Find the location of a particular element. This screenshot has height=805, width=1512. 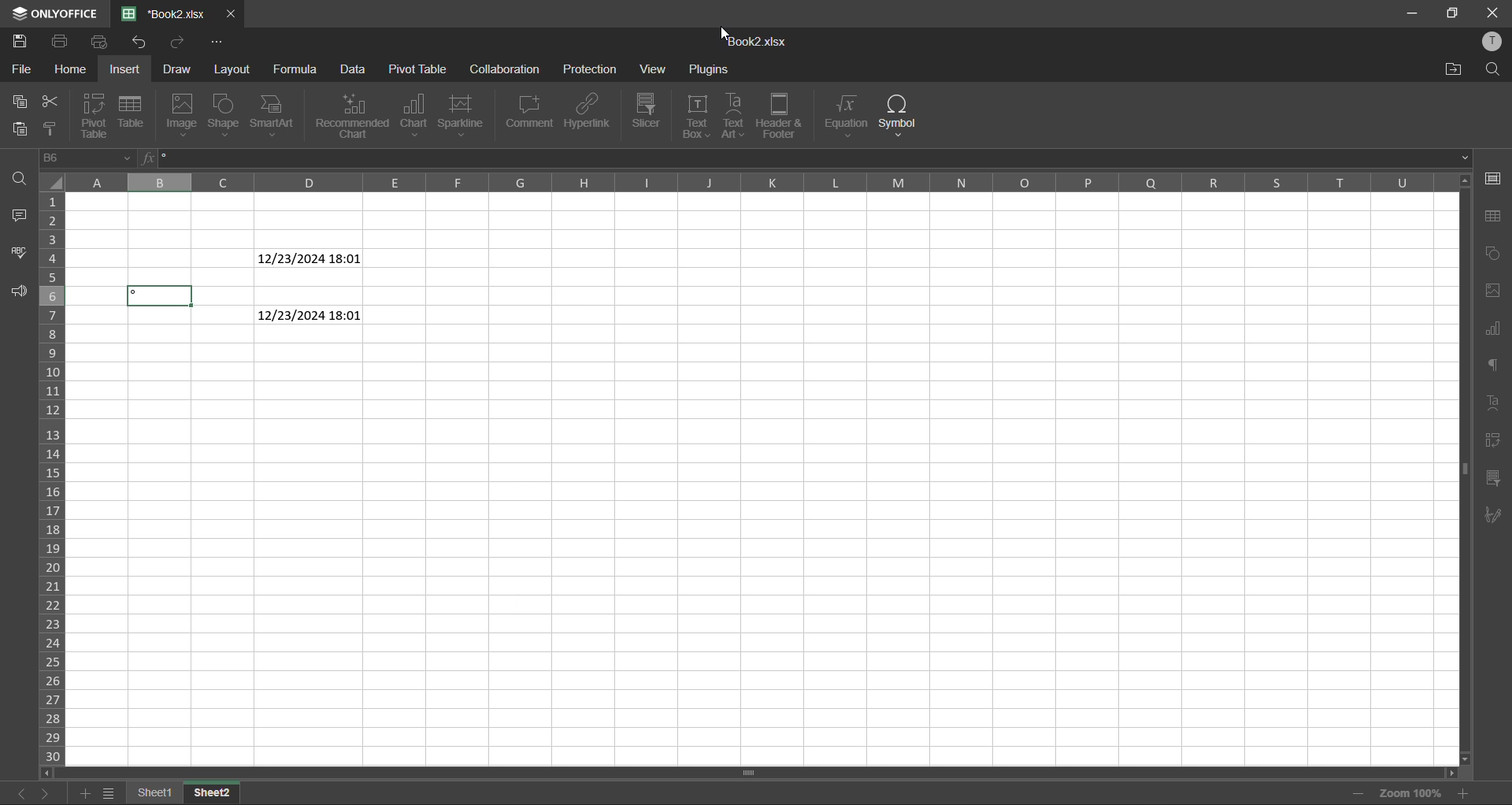

image is located at coordinates (183, 116).